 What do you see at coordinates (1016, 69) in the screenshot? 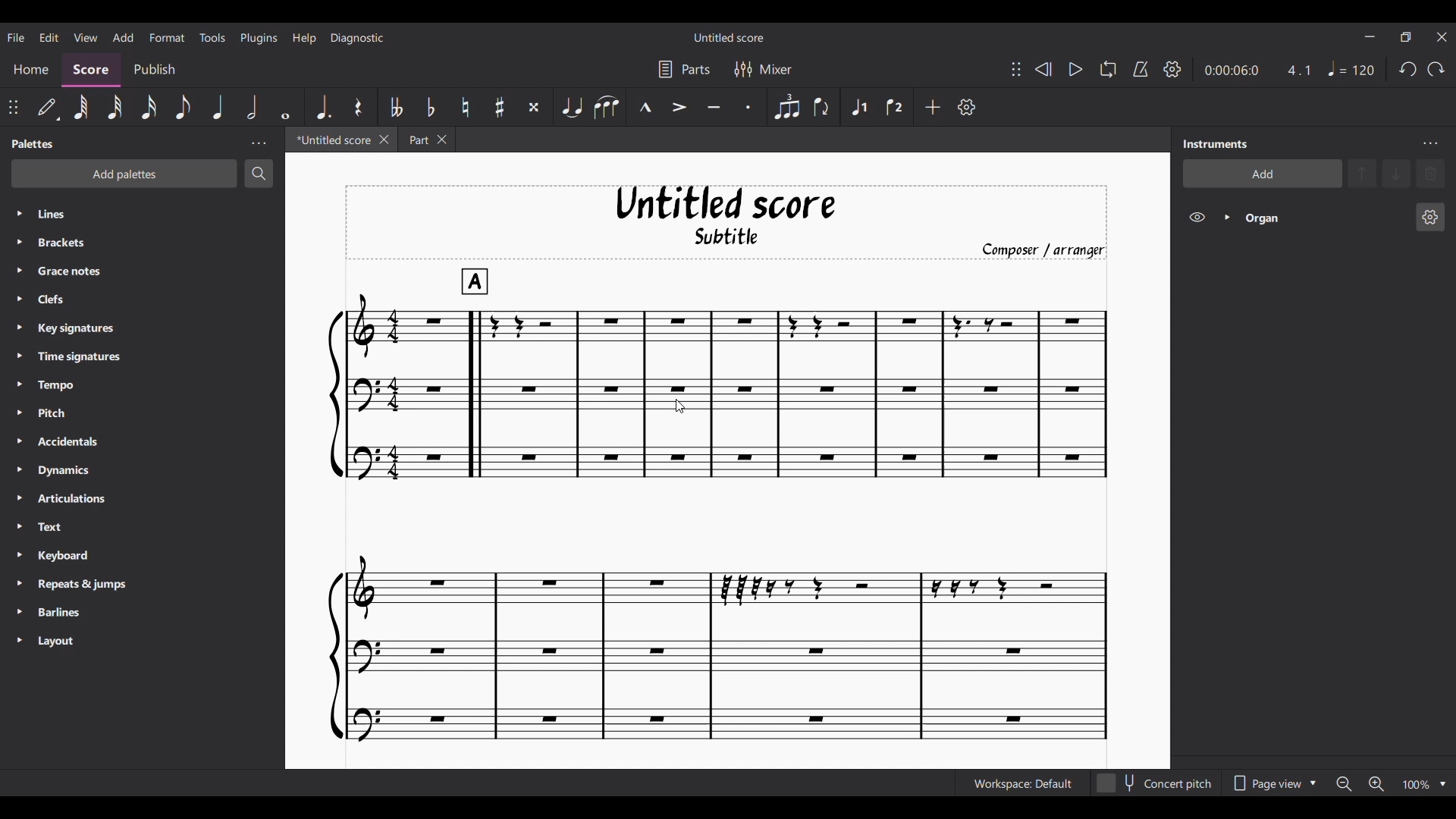
I see `Change position of toolbar attached` at bounding box center [1016, 69].